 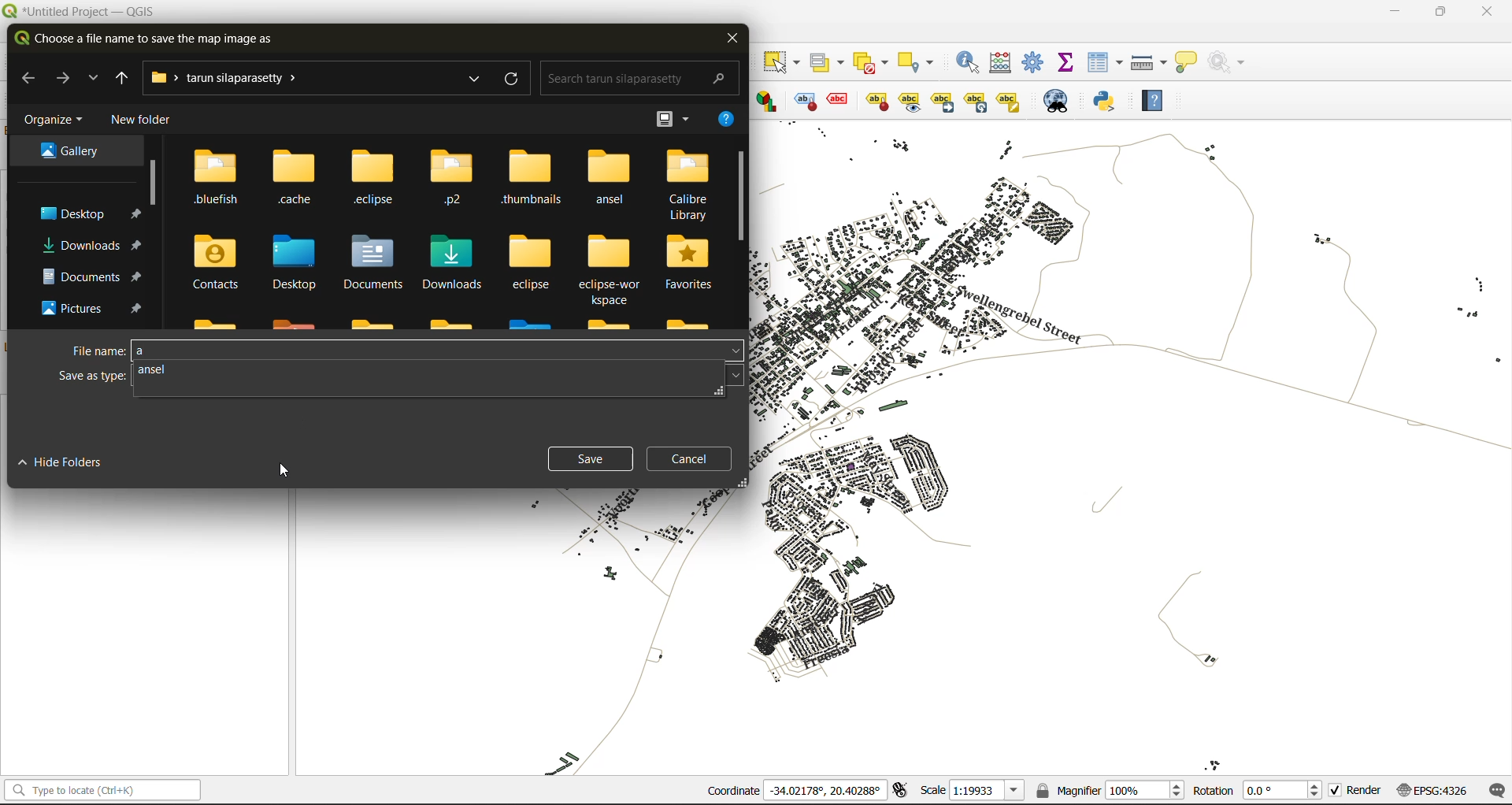 What do you see at coordinates (784, 62) in the screenshot?
I see `select` at bounding box center [784, 62].